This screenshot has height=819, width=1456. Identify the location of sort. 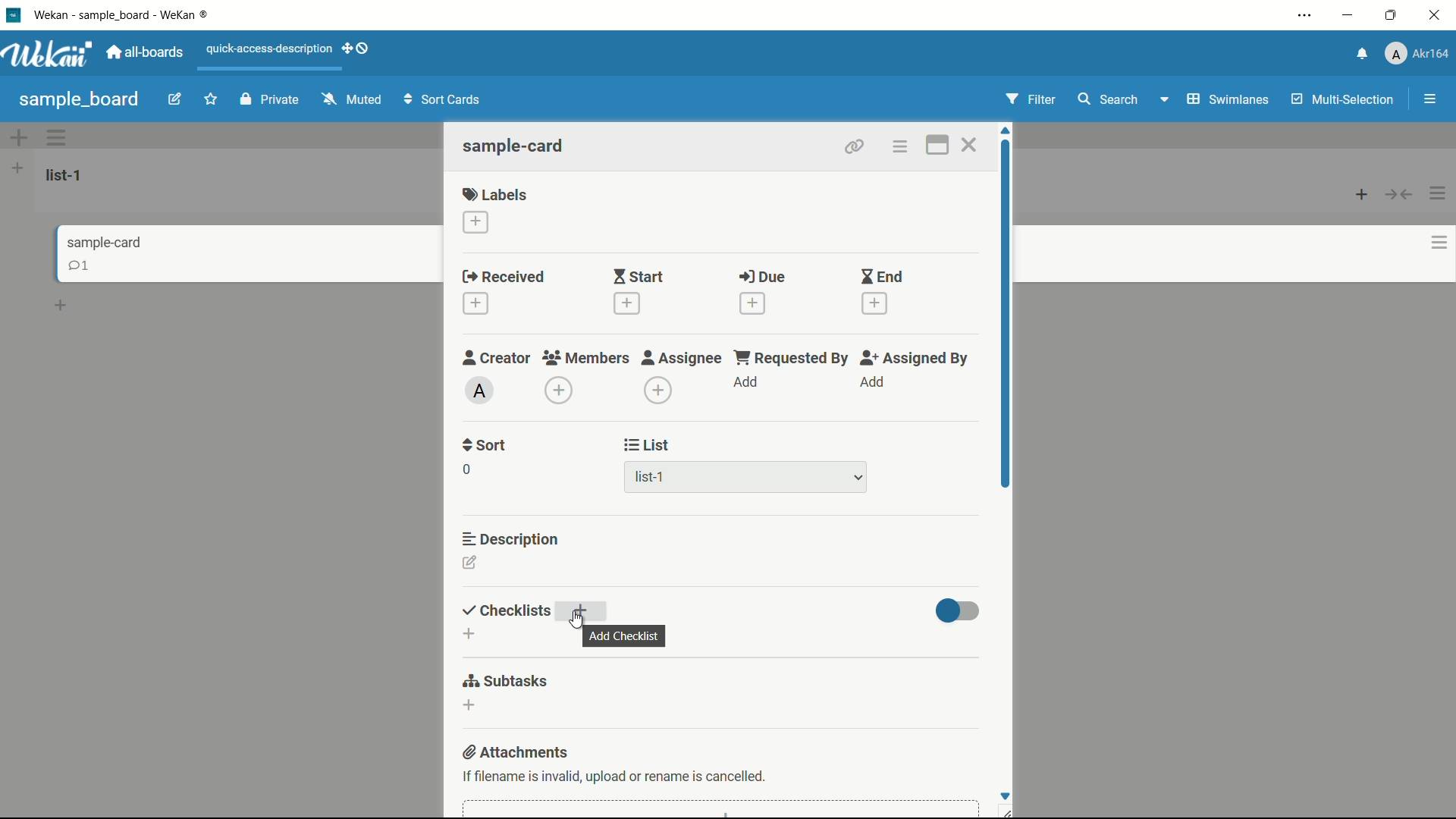
(485, 447).